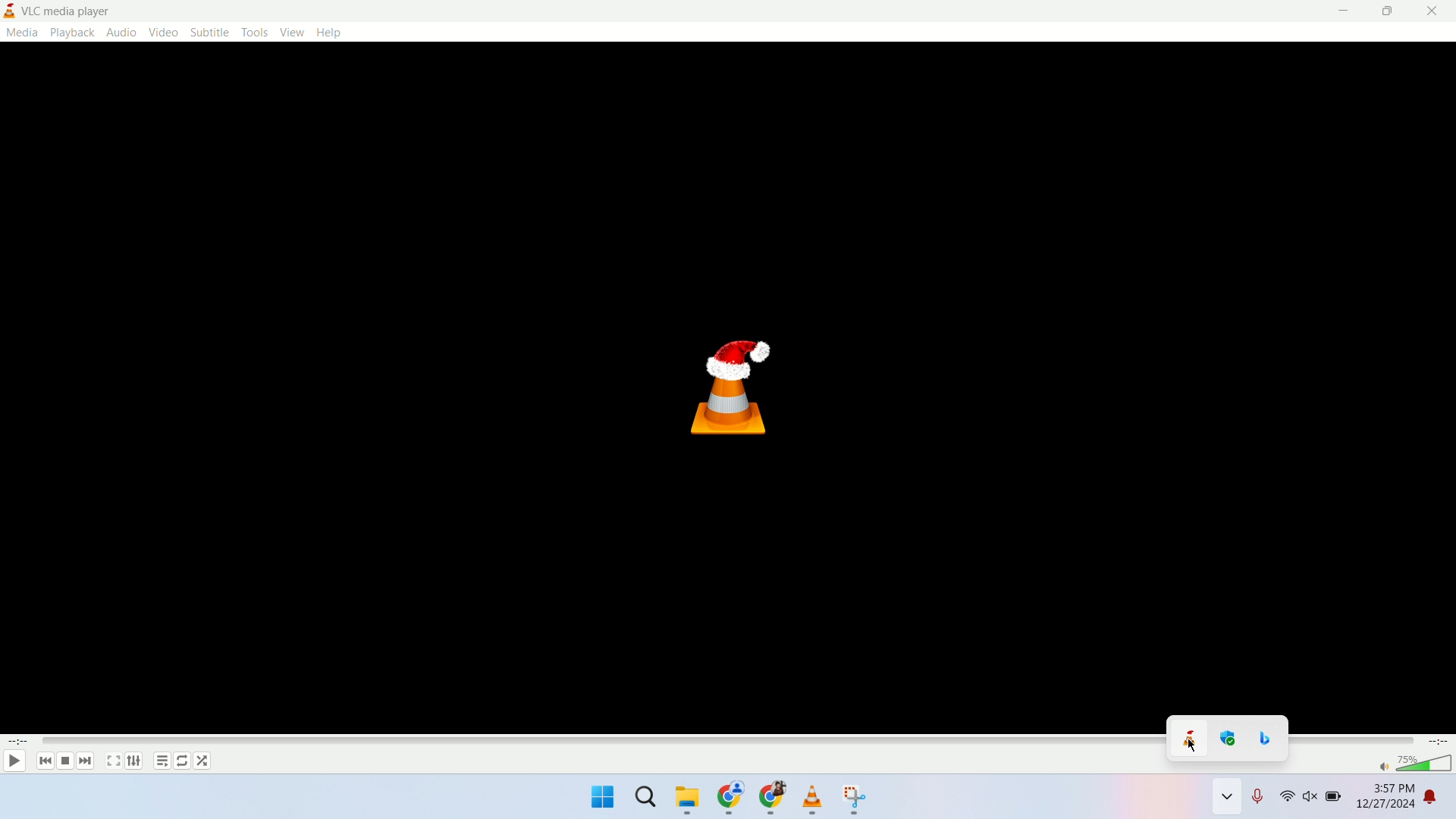 The image size is (1456, 819). What do you see at coordinates (41, 761) in the screenshot?
I see `previous track` at bounding box center [41, 761].